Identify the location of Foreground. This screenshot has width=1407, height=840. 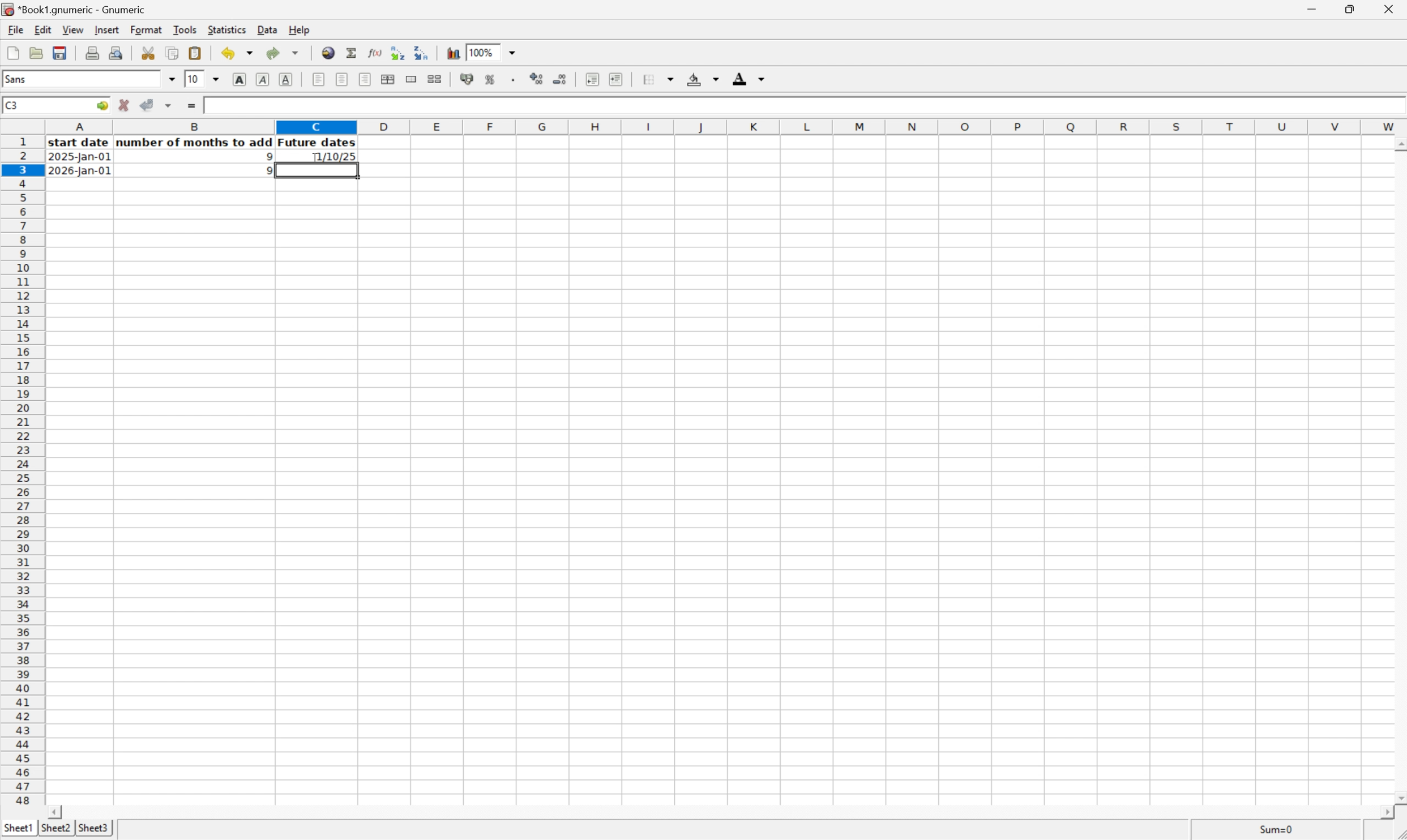
(750, 78).